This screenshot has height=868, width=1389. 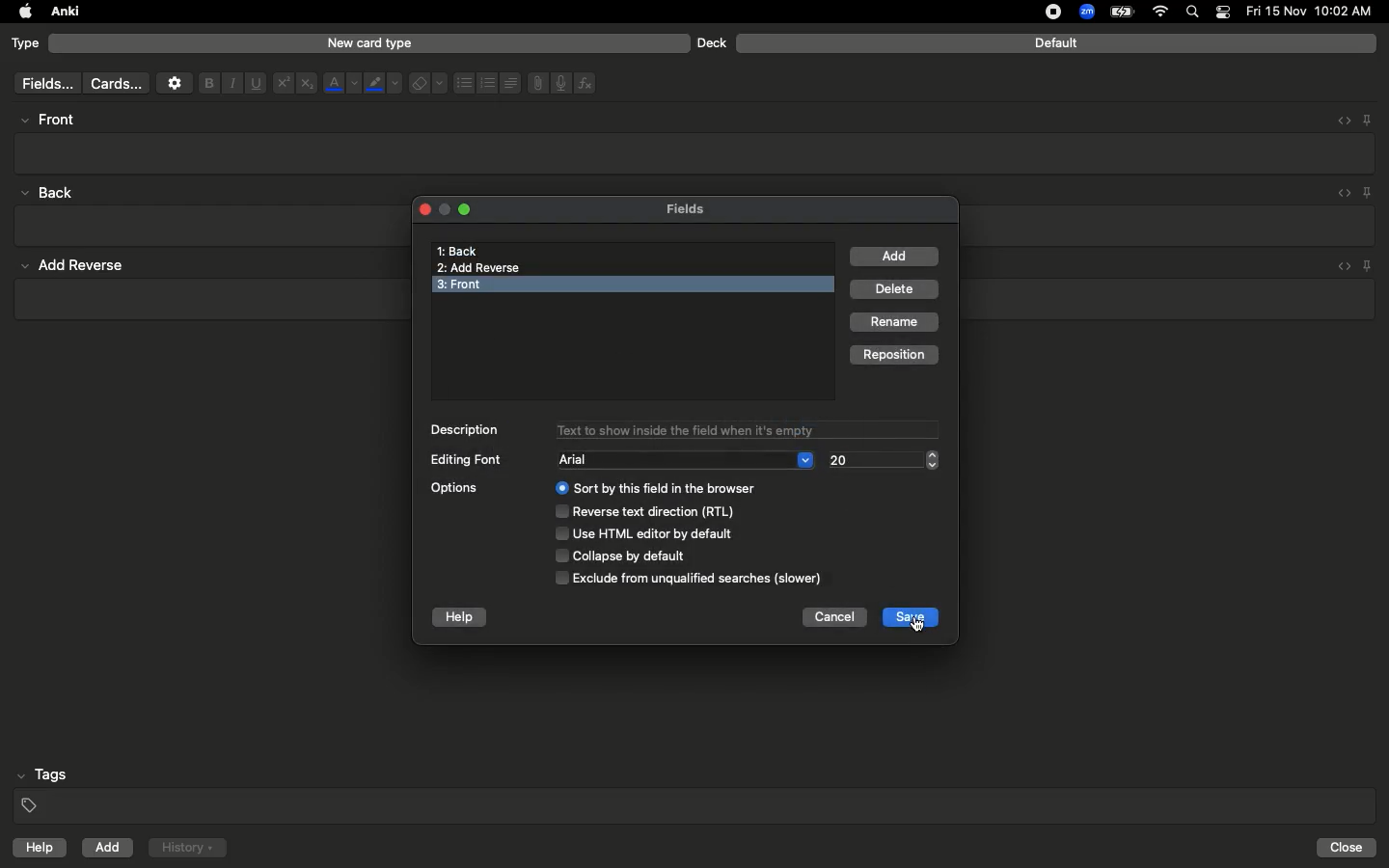 I want to click on Default, so click(x=1056, y=43).